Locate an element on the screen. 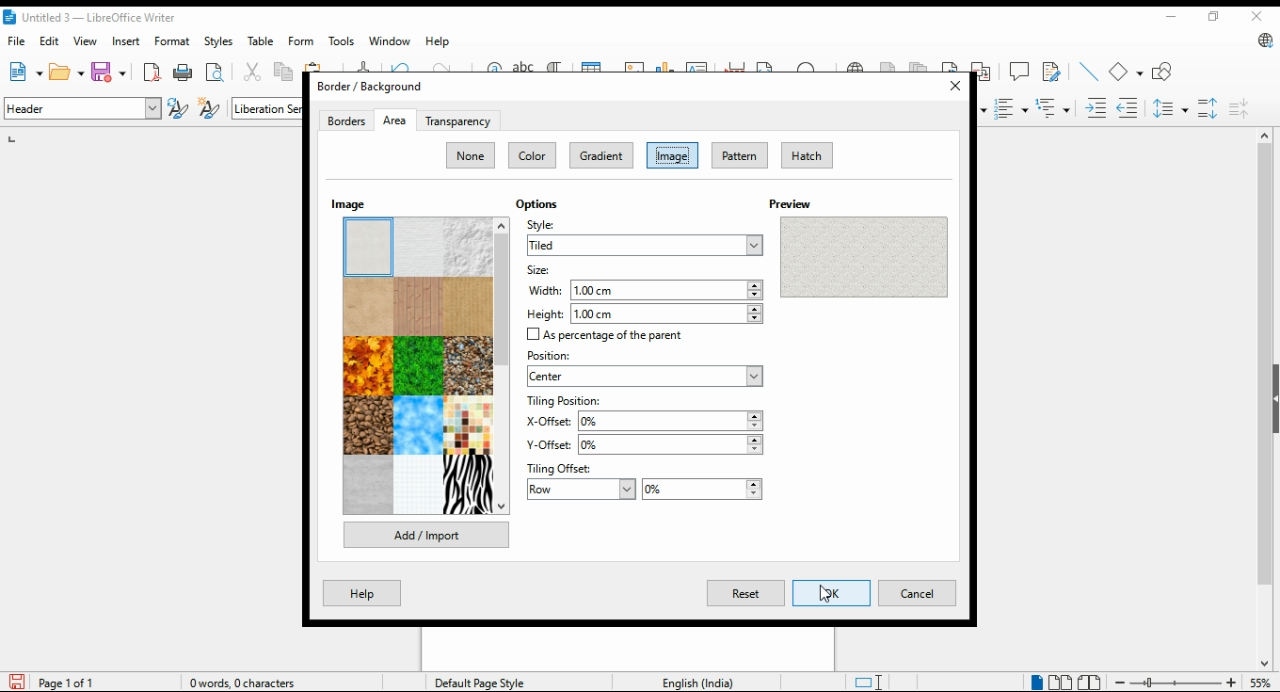 The width and height of the screenshot is (1280, 692). ave is located at coordinates (111, 71).